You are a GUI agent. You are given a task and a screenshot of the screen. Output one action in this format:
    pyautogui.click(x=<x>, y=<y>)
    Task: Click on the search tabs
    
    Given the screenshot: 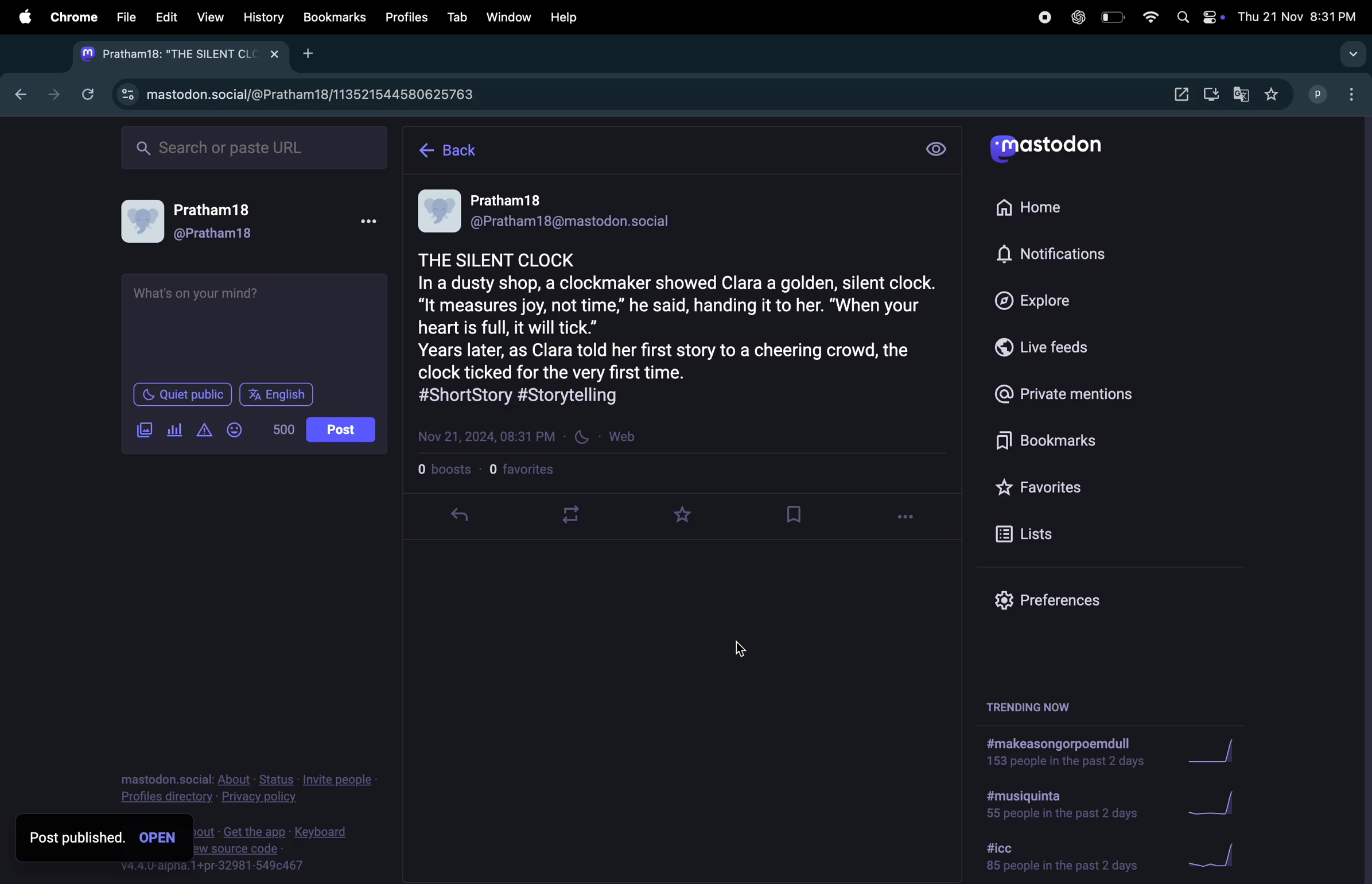 What is the action you would take?
    pyautogui.click(x=1352, y=54)
    